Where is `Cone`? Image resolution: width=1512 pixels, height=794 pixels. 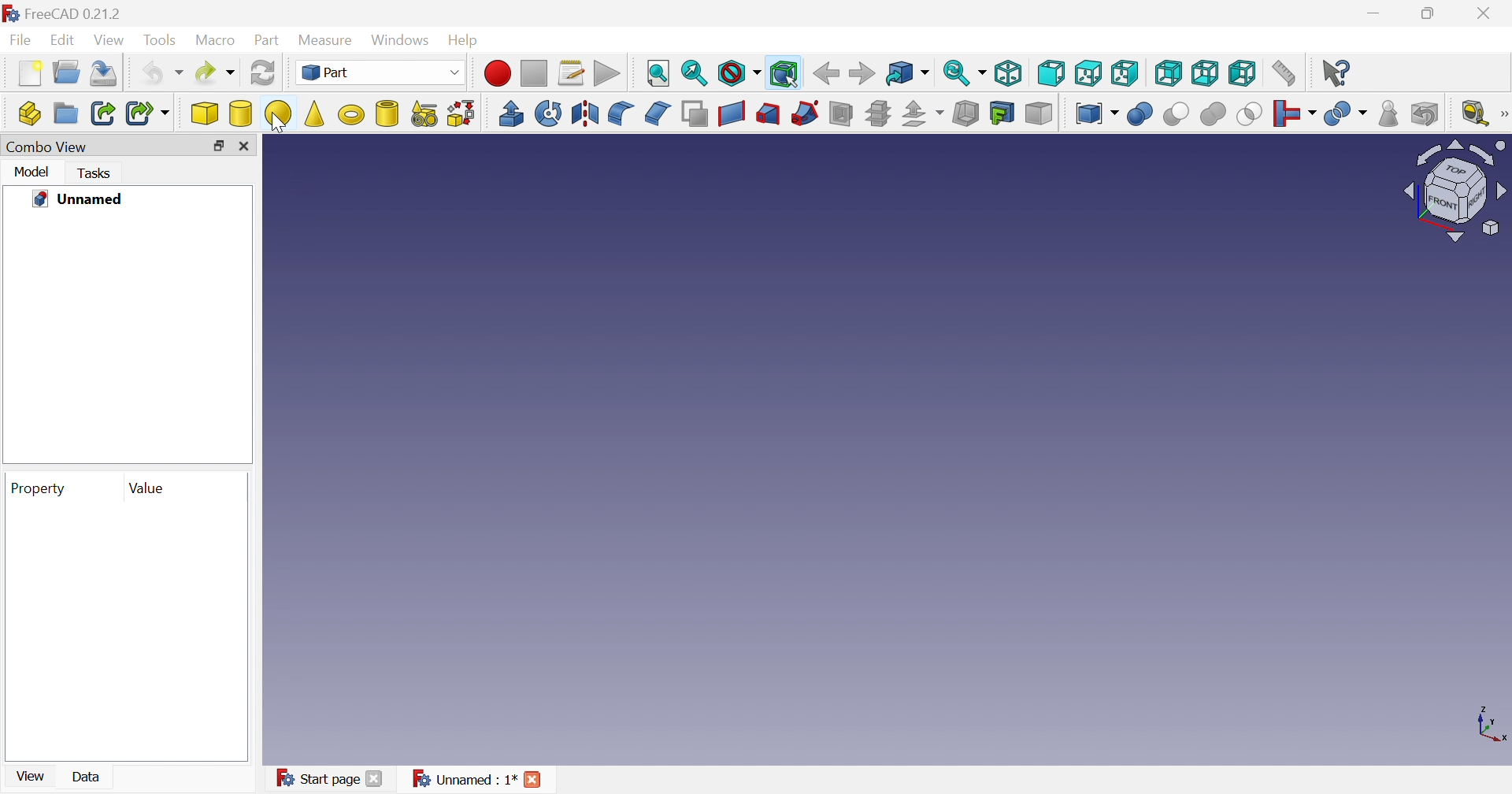 Cone is located at coordinates (317, 113).